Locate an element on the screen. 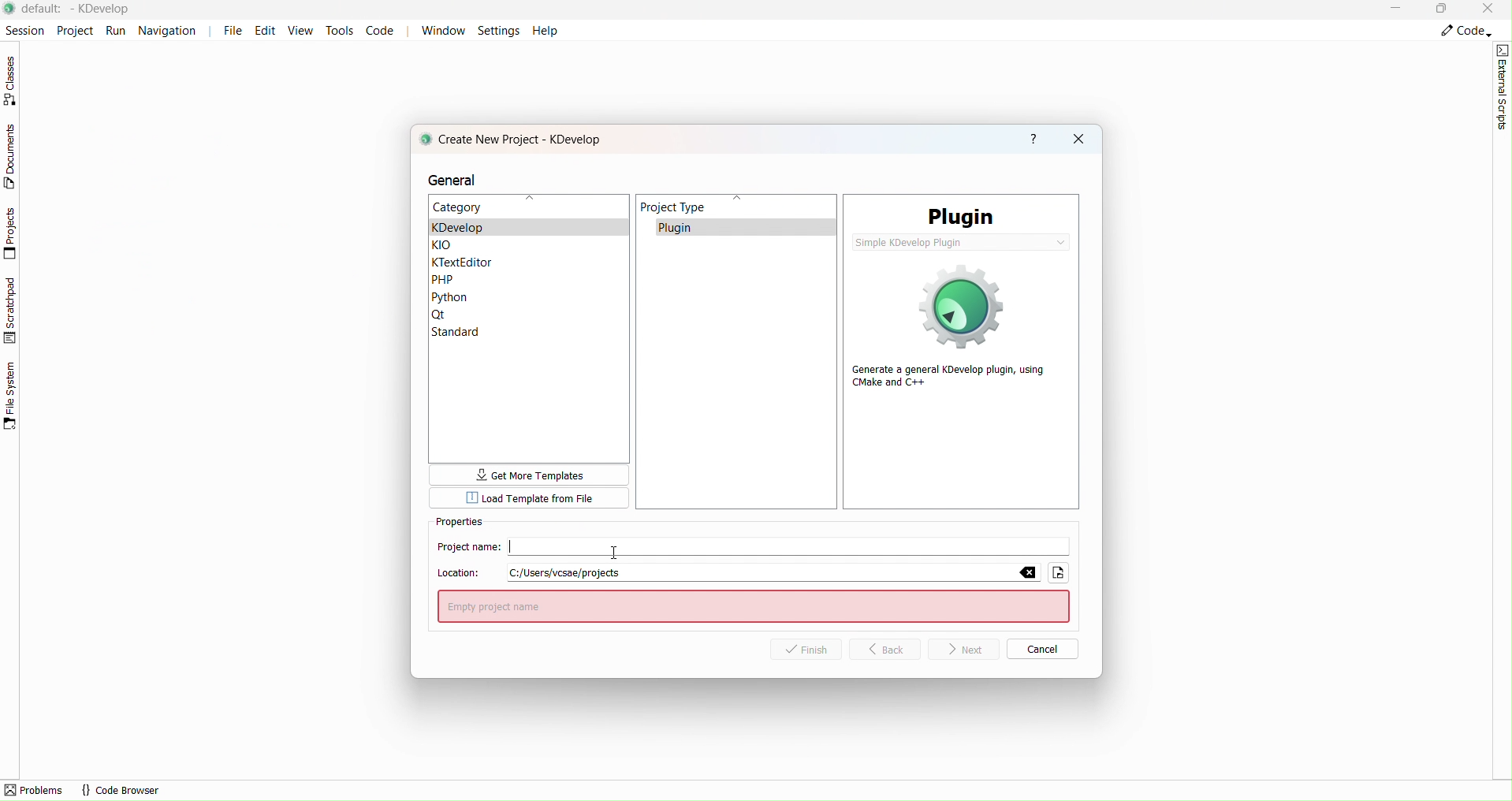  Projects is located at coordinates (13, 233).